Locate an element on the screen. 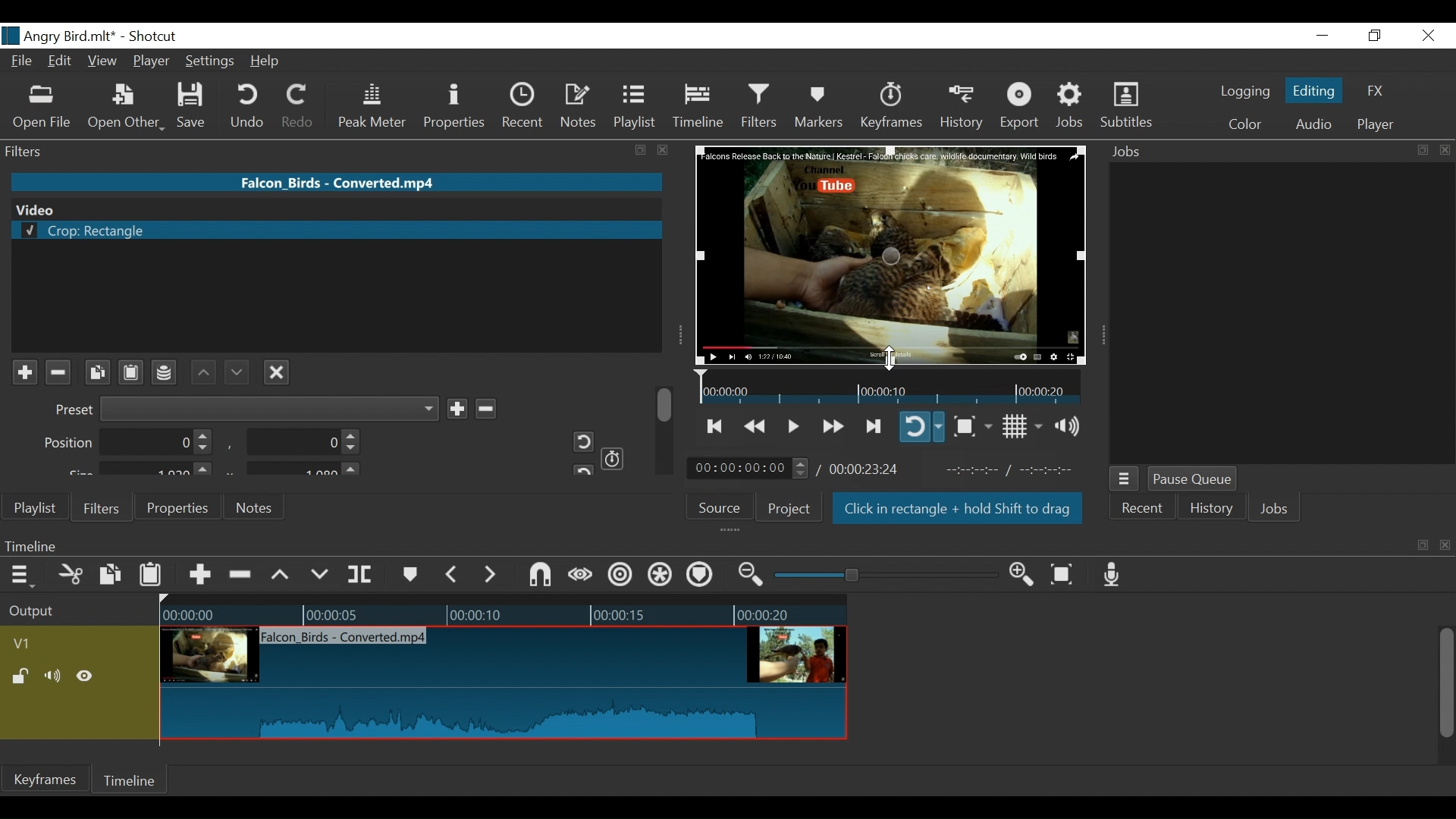 The width and height of the screenshot is (1456, 819). 0 is located at coordinates (300, 444).